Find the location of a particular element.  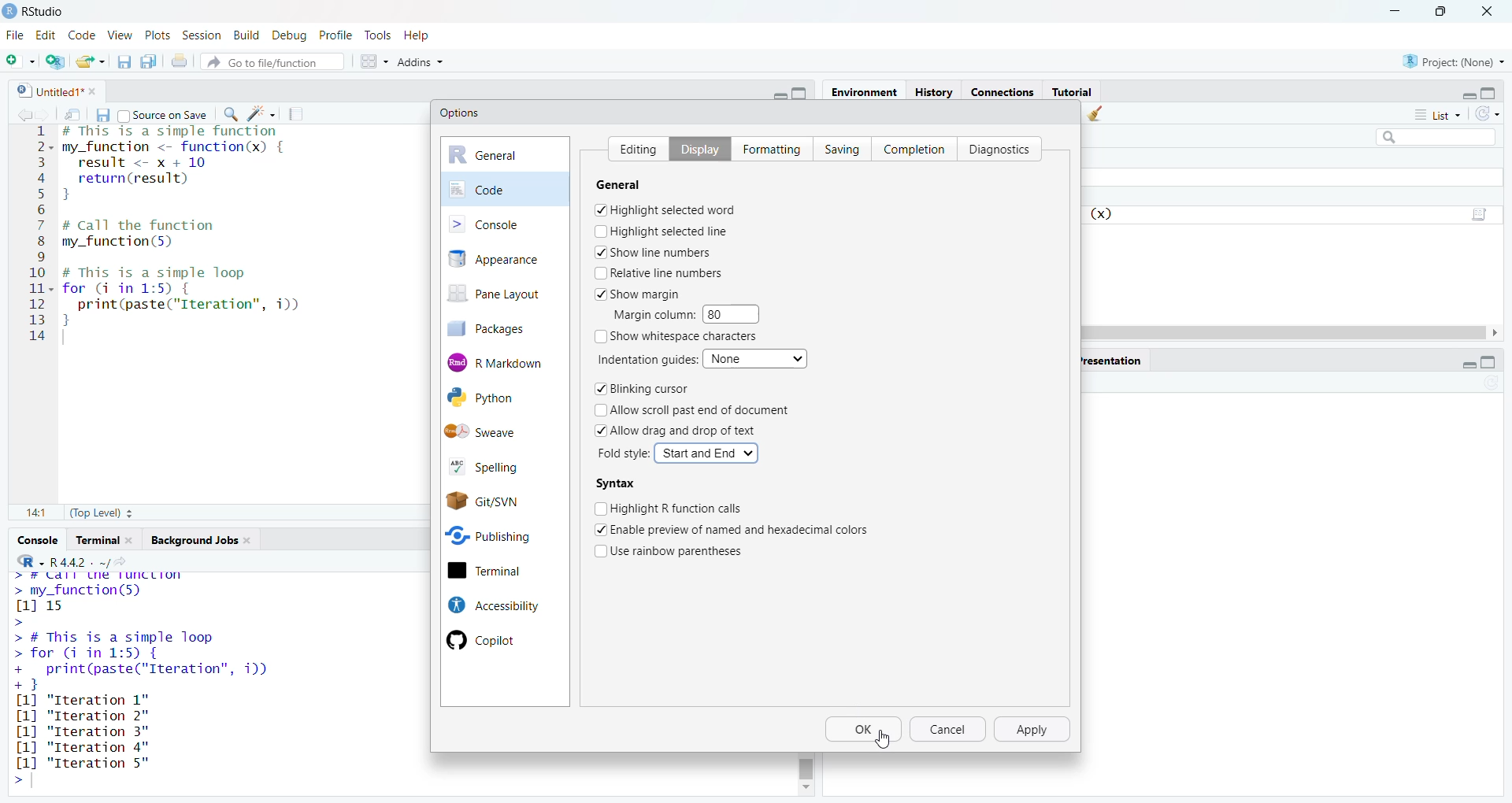

Sweave is located at coordinates (506, 431).